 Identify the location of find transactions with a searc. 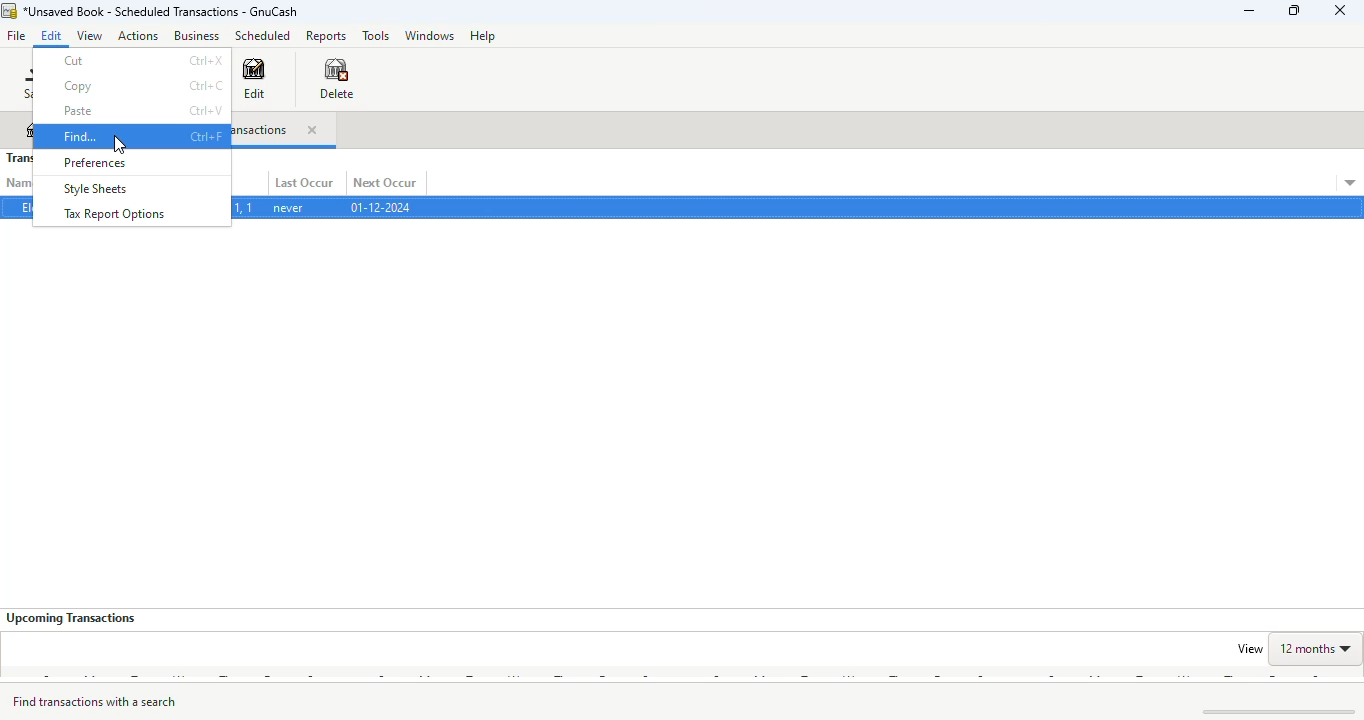
(95, 703).